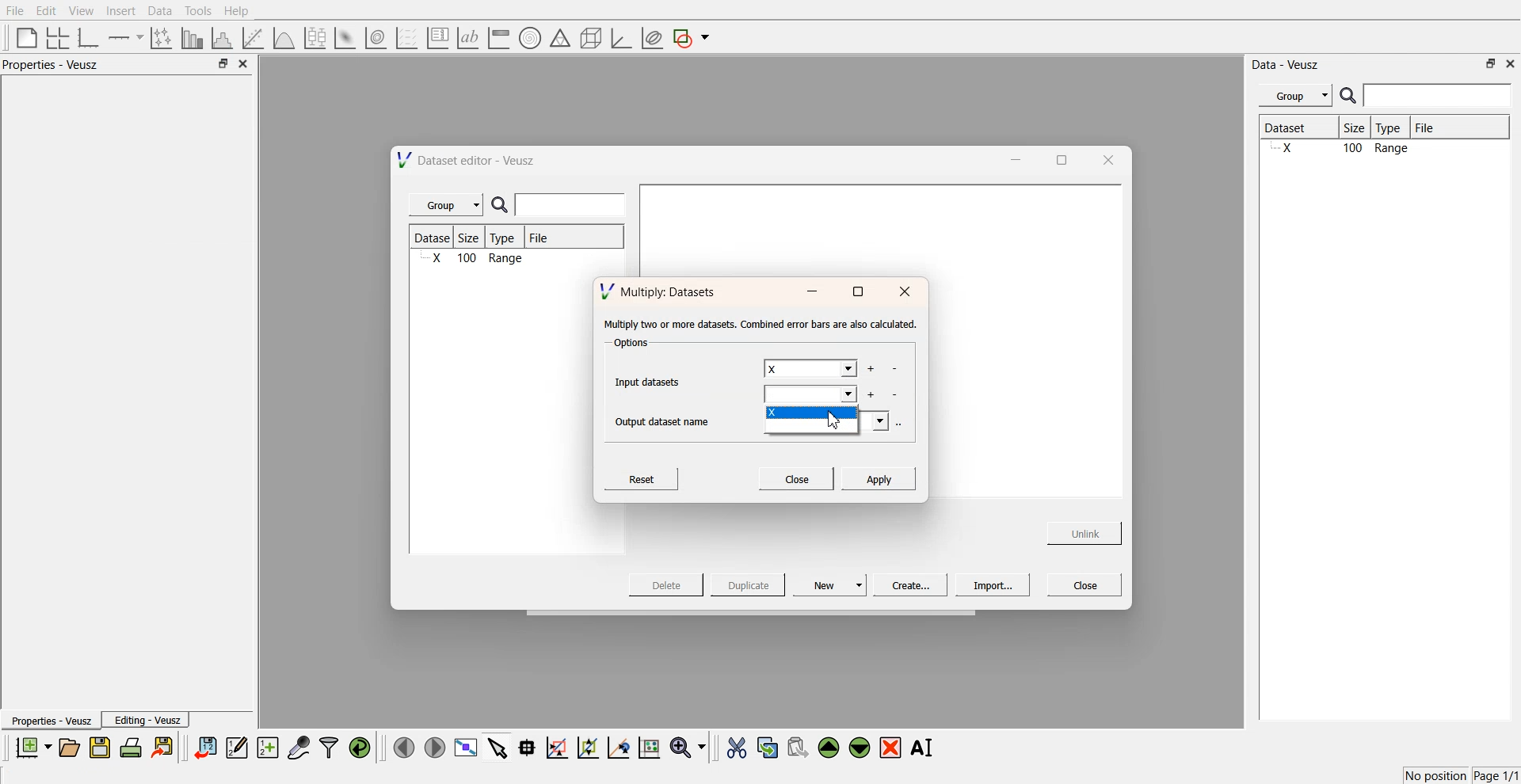  Describe the element at coordinates (465, 748) in the screenshot. I see `view plot full screen` at that location.